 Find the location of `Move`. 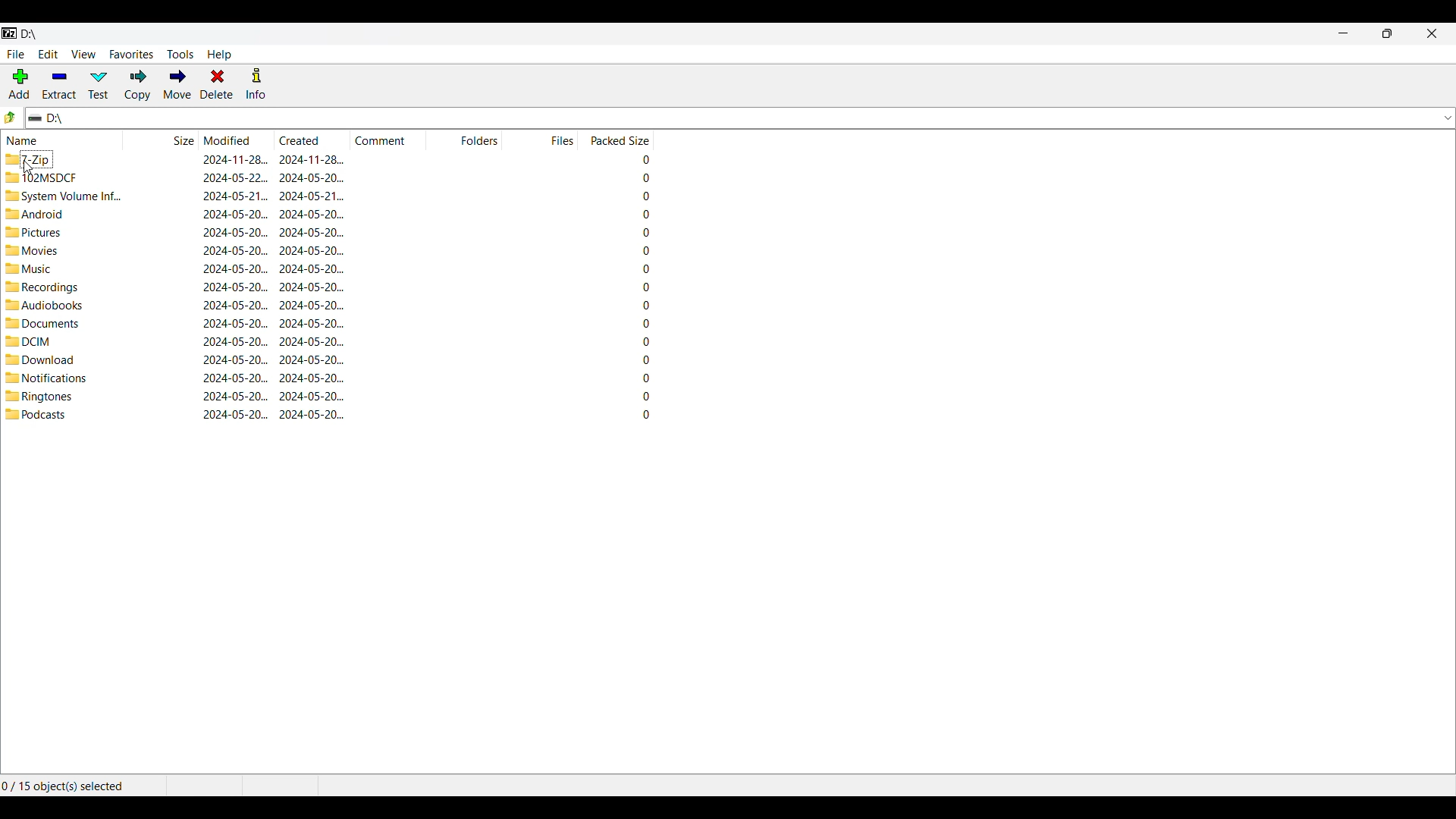

Move is located at coordinates (177, 85).